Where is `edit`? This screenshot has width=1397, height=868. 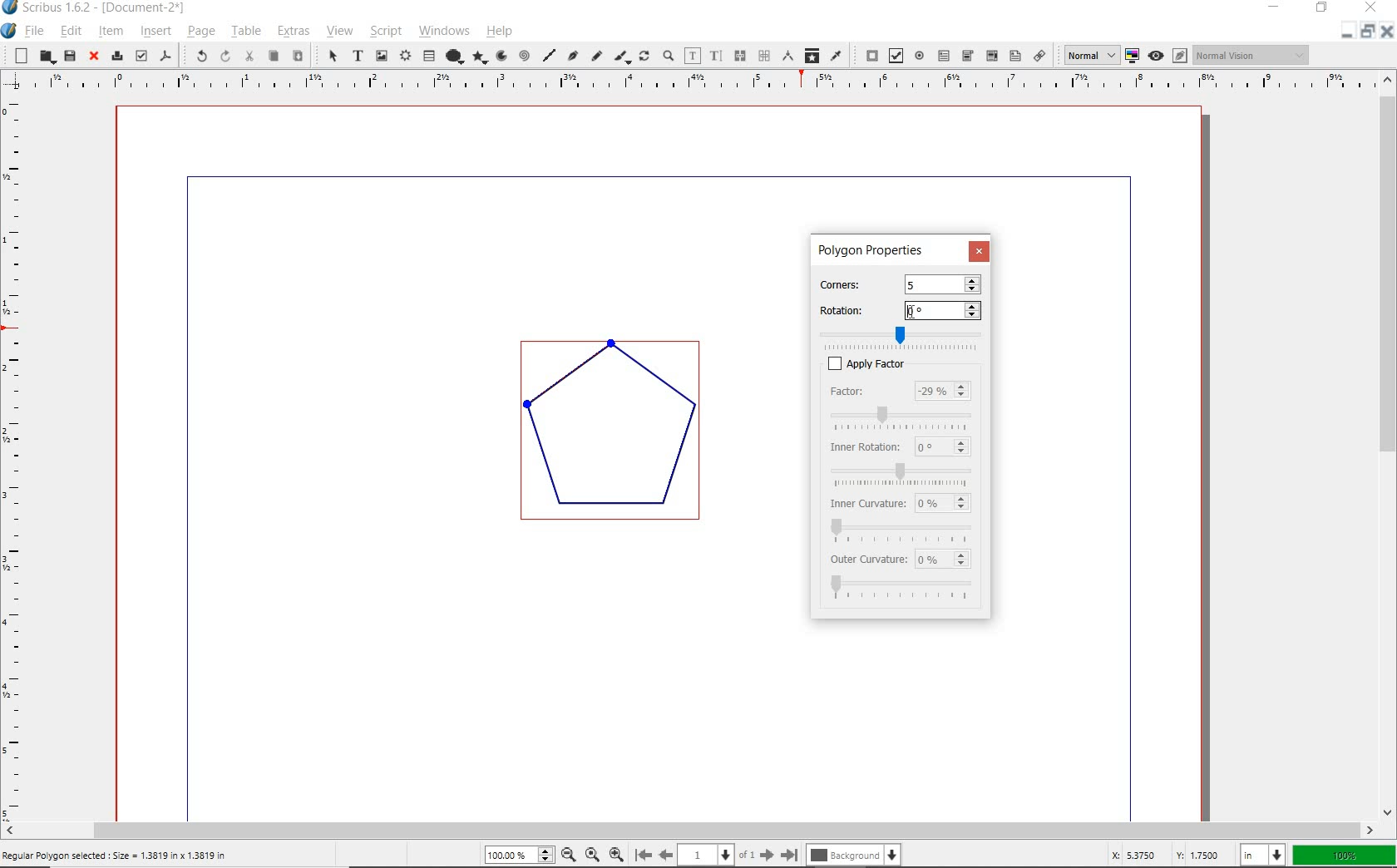
edit is located at coordinates (70, 30).